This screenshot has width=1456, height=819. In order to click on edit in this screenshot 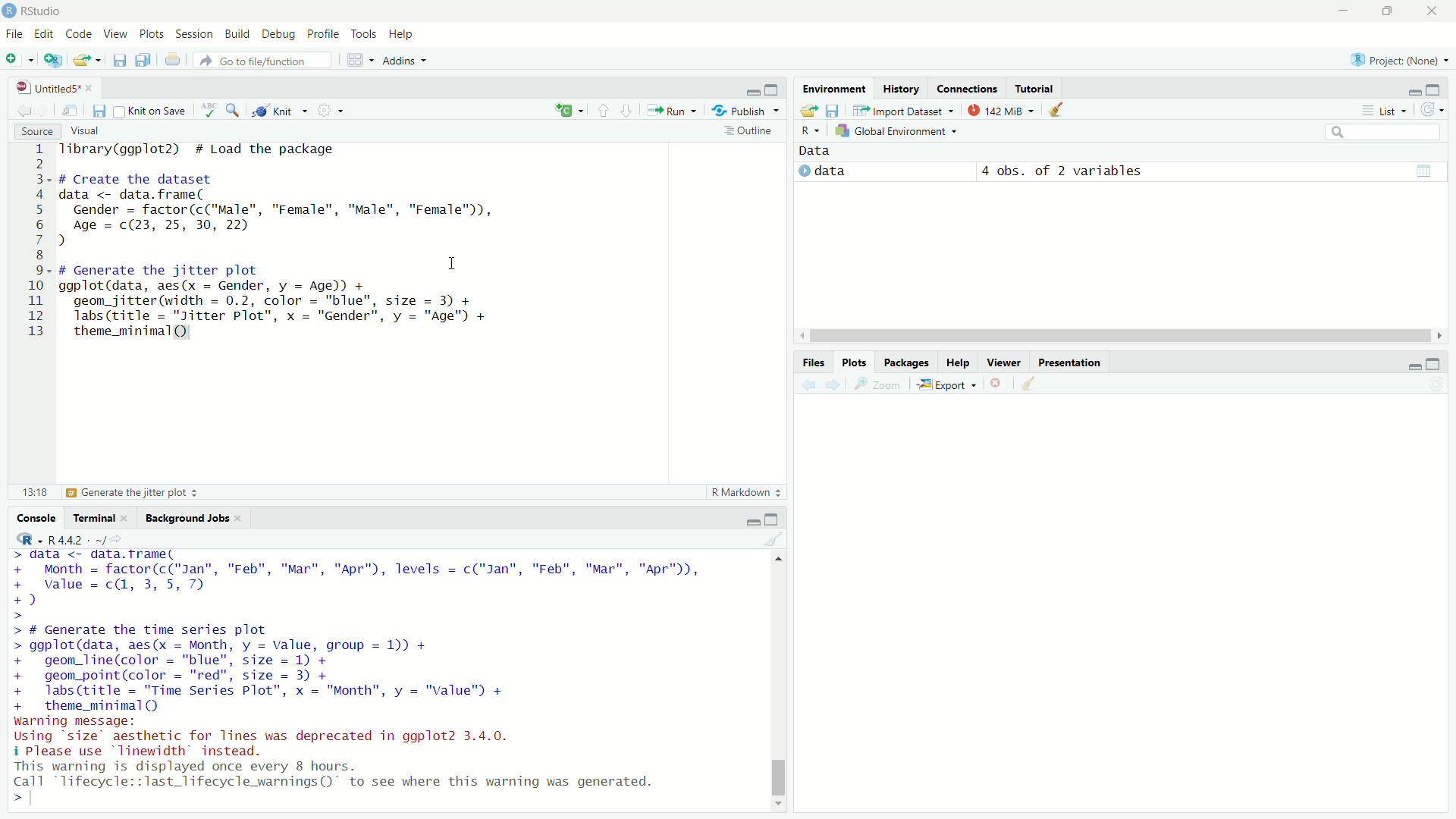, I will do `click(45, 35)`.